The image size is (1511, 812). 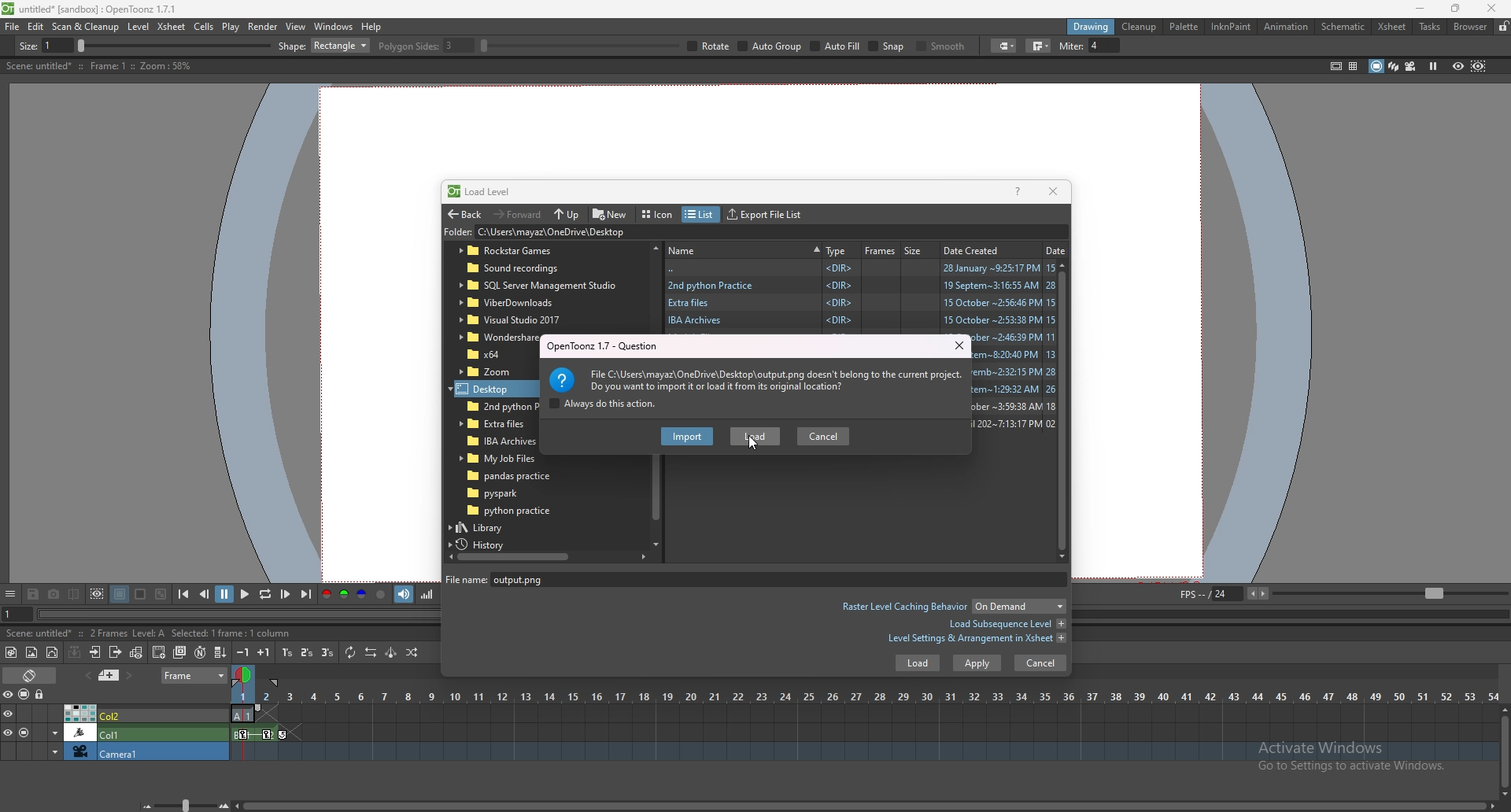 I want to click on save, so click(x=33, y=596).